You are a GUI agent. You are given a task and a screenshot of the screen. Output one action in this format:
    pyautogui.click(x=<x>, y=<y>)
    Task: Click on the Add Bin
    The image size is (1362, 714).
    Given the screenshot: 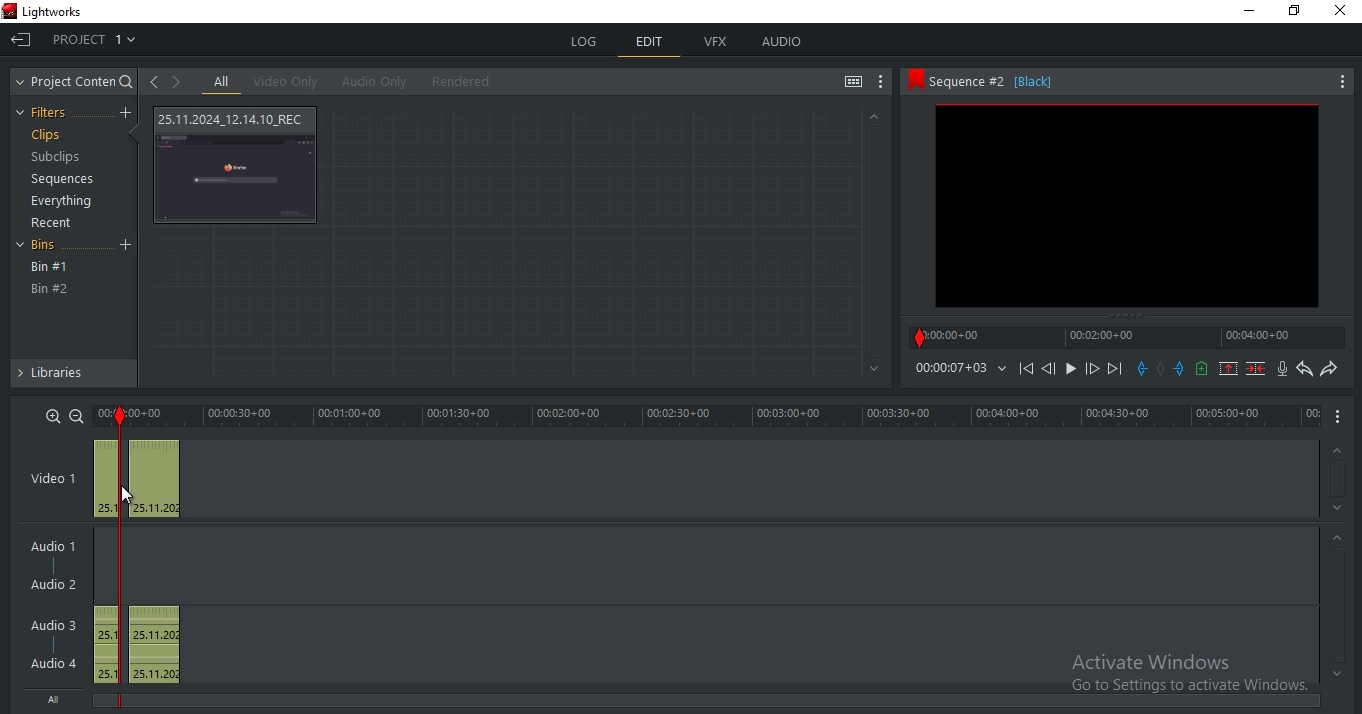 What is the action you would take?
    pyautogui.click(x=128, y=246)
    